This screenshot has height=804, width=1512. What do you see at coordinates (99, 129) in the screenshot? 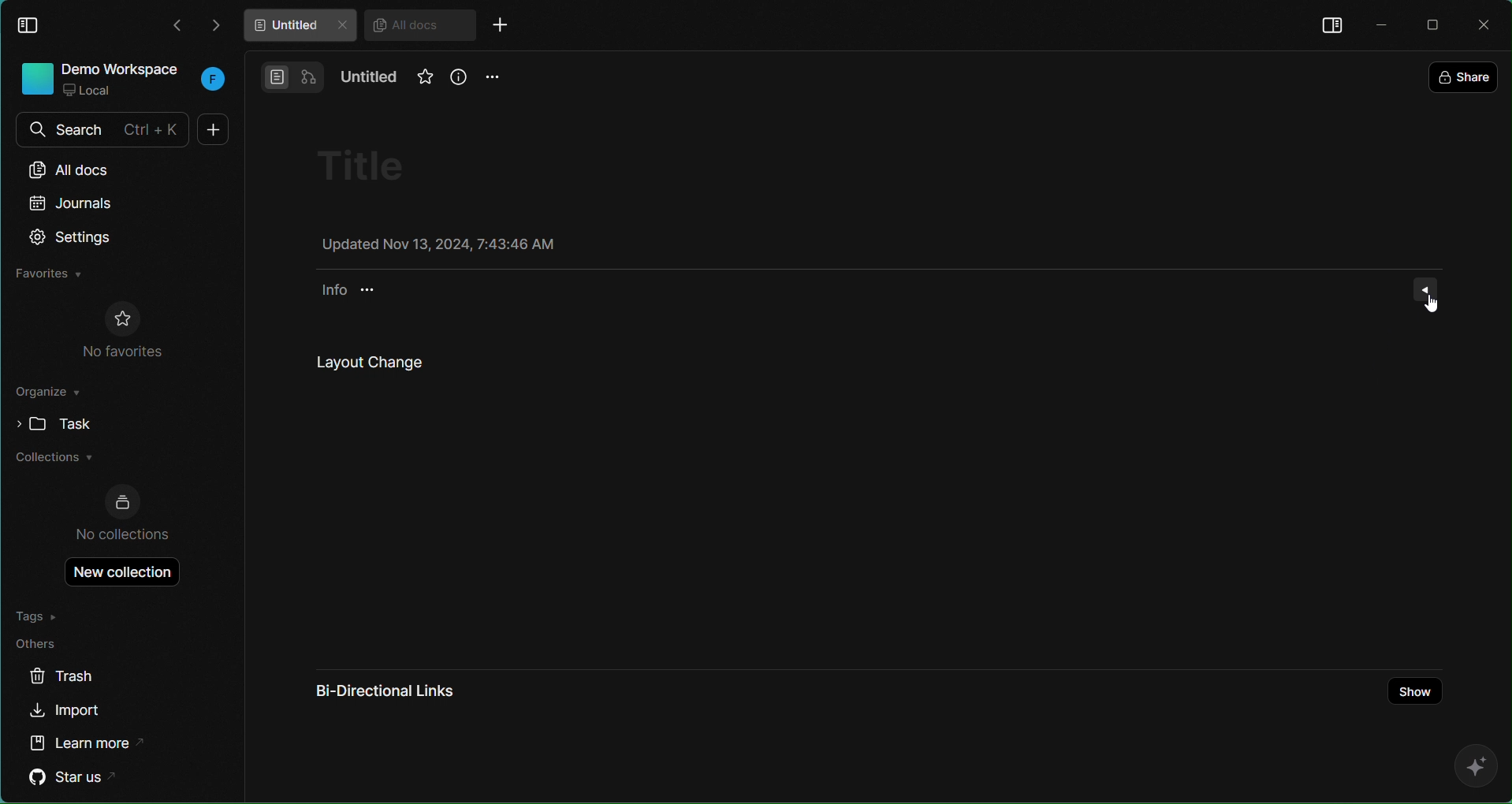
I see `search ` at bounding box center [99, 129].